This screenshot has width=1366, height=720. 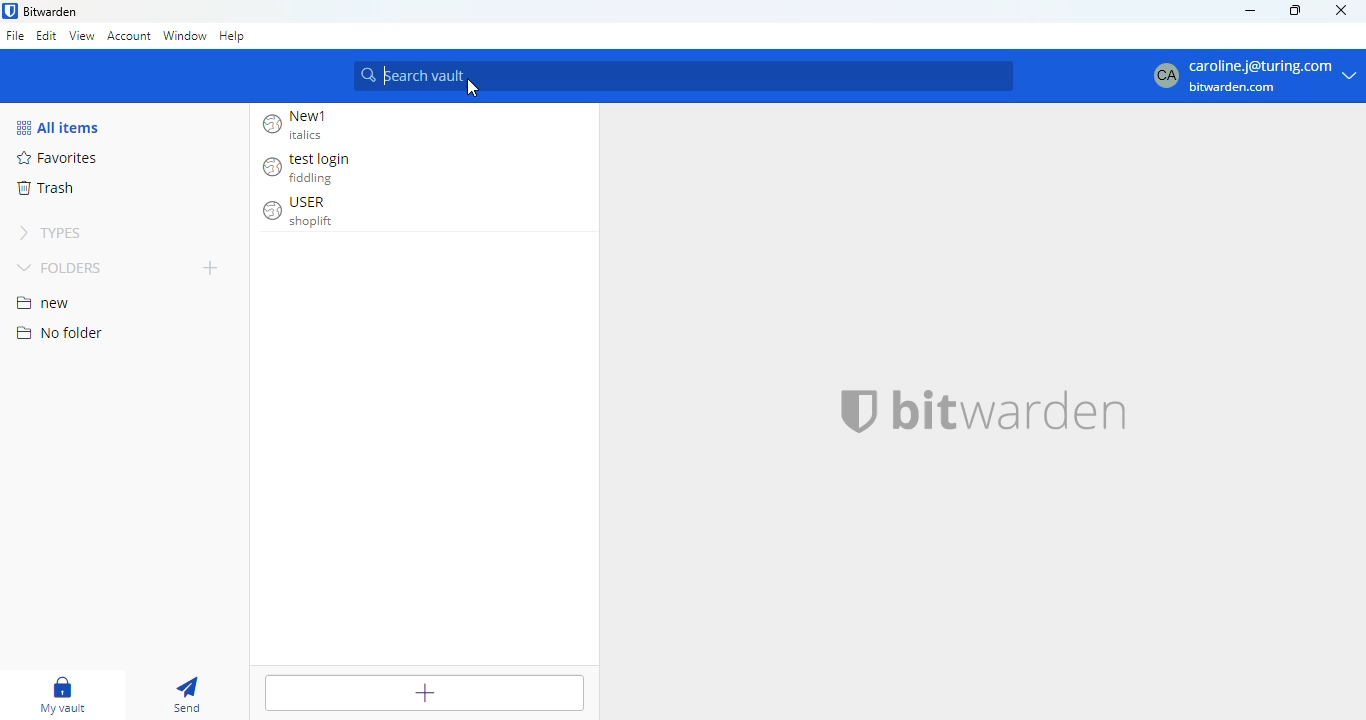 I want to click on add item, so click(x=425, y=691).